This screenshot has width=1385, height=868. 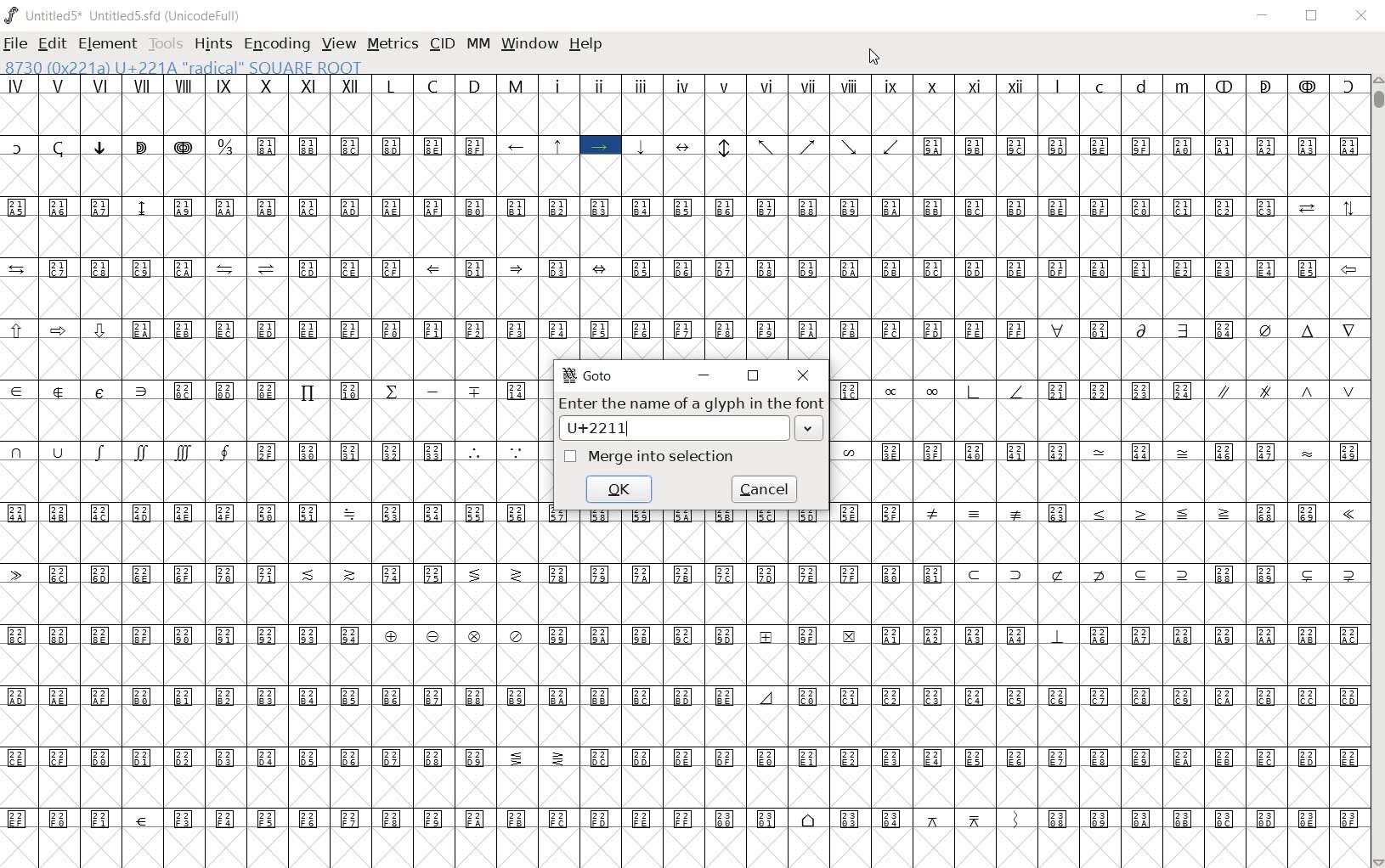 I want to click on CURSOR, so click(x=875, y=57).